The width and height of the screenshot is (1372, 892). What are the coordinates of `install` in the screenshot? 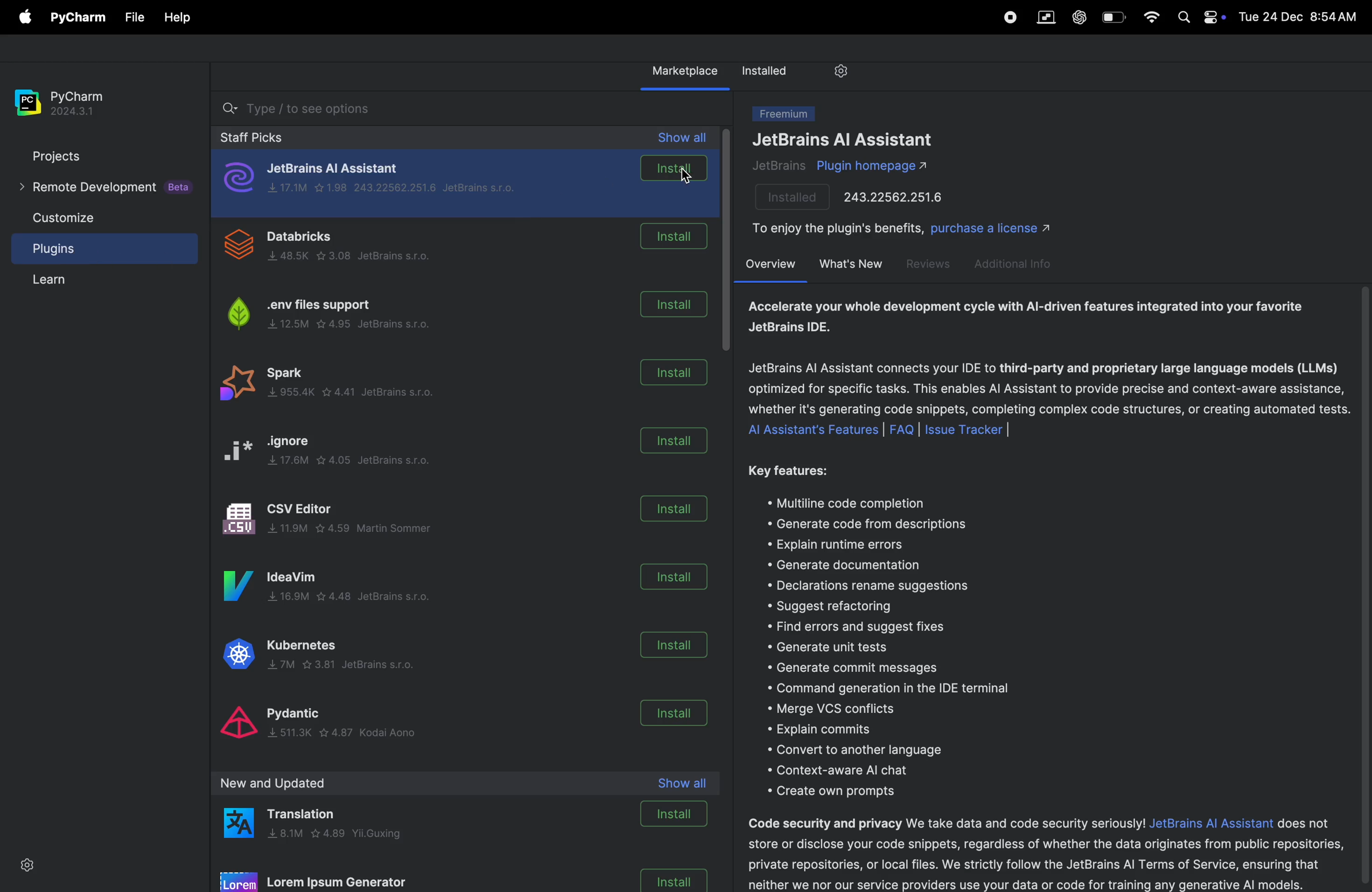 It's located at (669, 508).